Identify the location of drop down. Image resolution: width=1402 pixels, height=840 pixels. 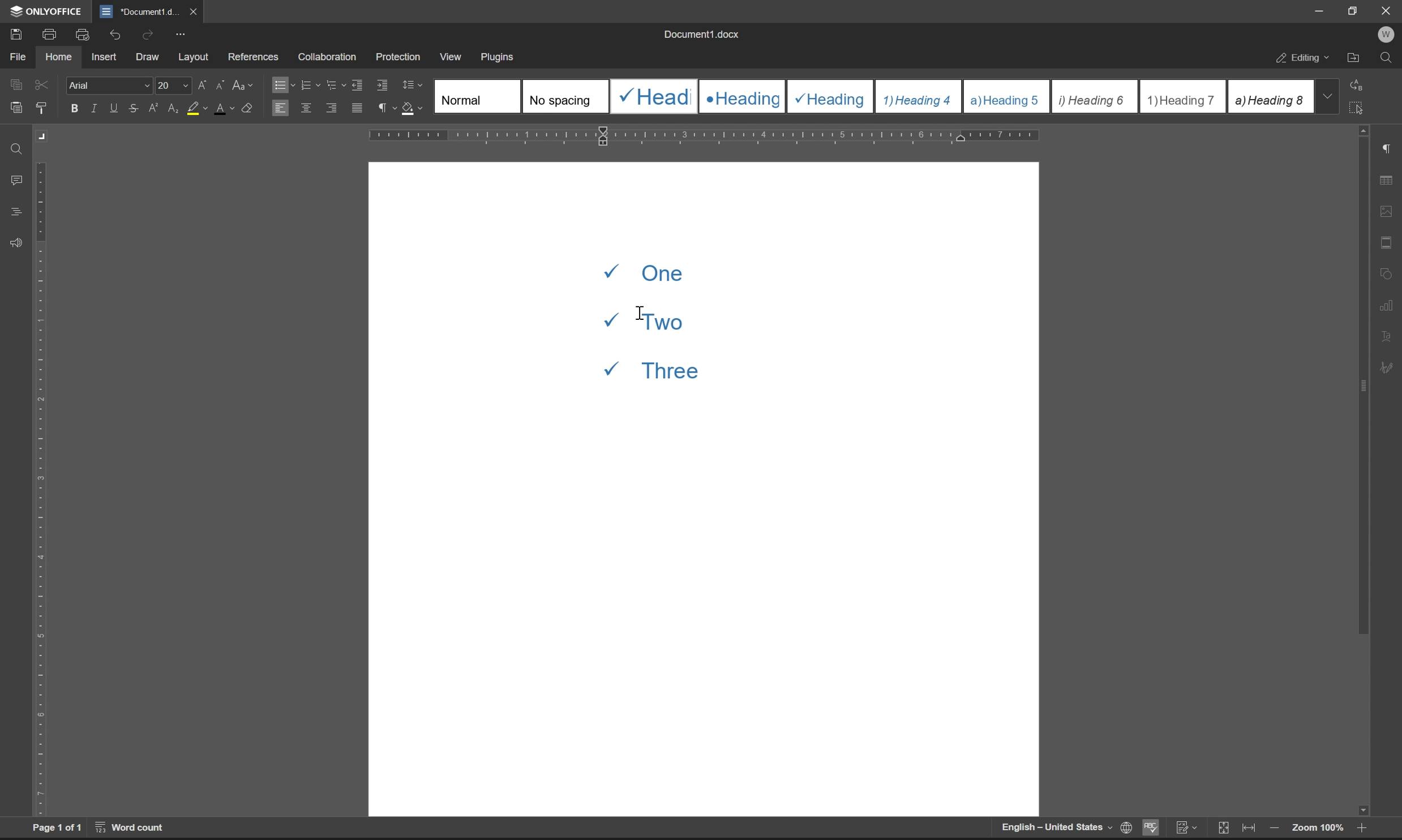
(1327, 96).